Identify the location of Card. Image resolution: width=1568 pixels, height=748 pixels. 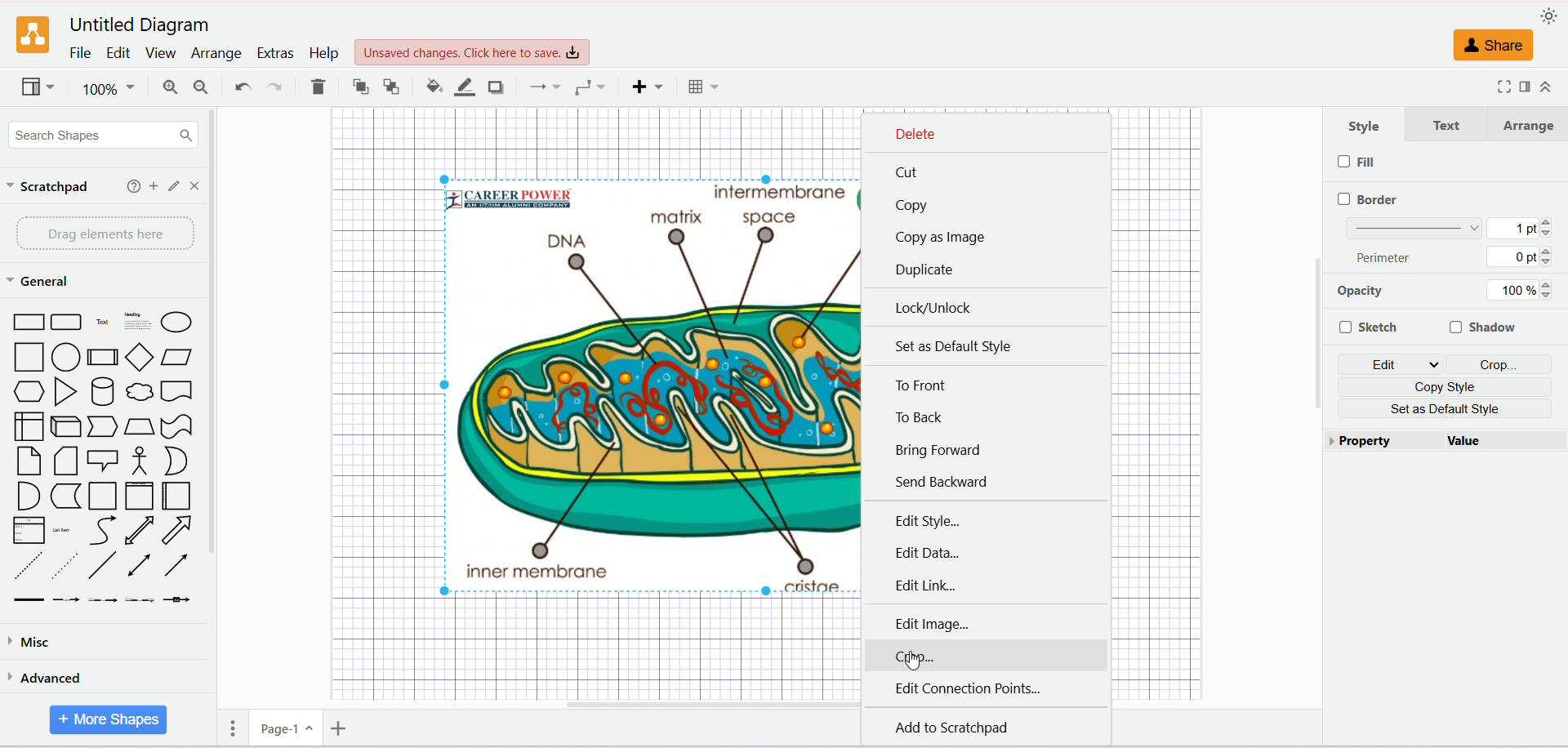
(29, 461).